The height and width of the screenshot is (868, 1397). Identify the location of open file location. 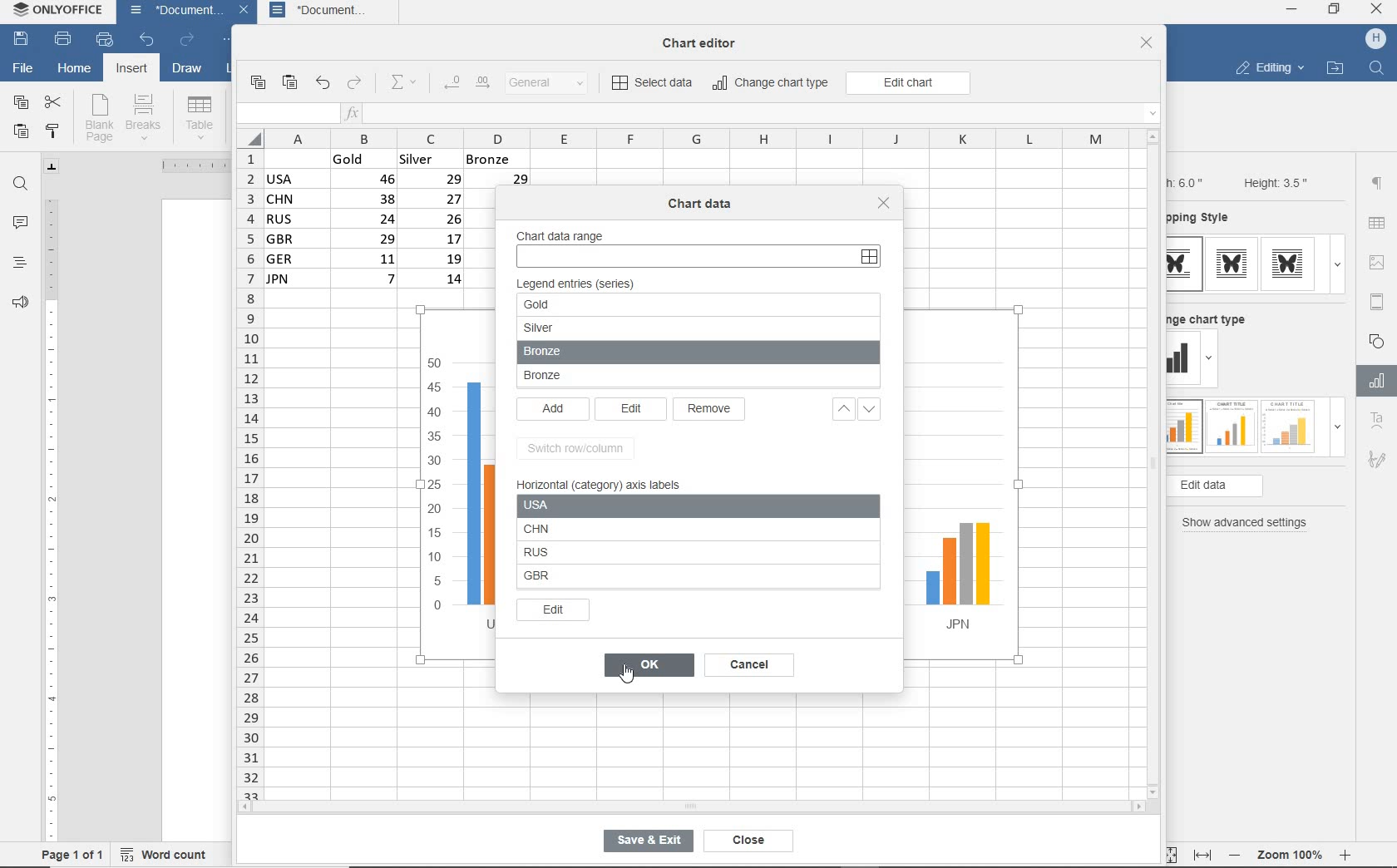
(1335, 69).